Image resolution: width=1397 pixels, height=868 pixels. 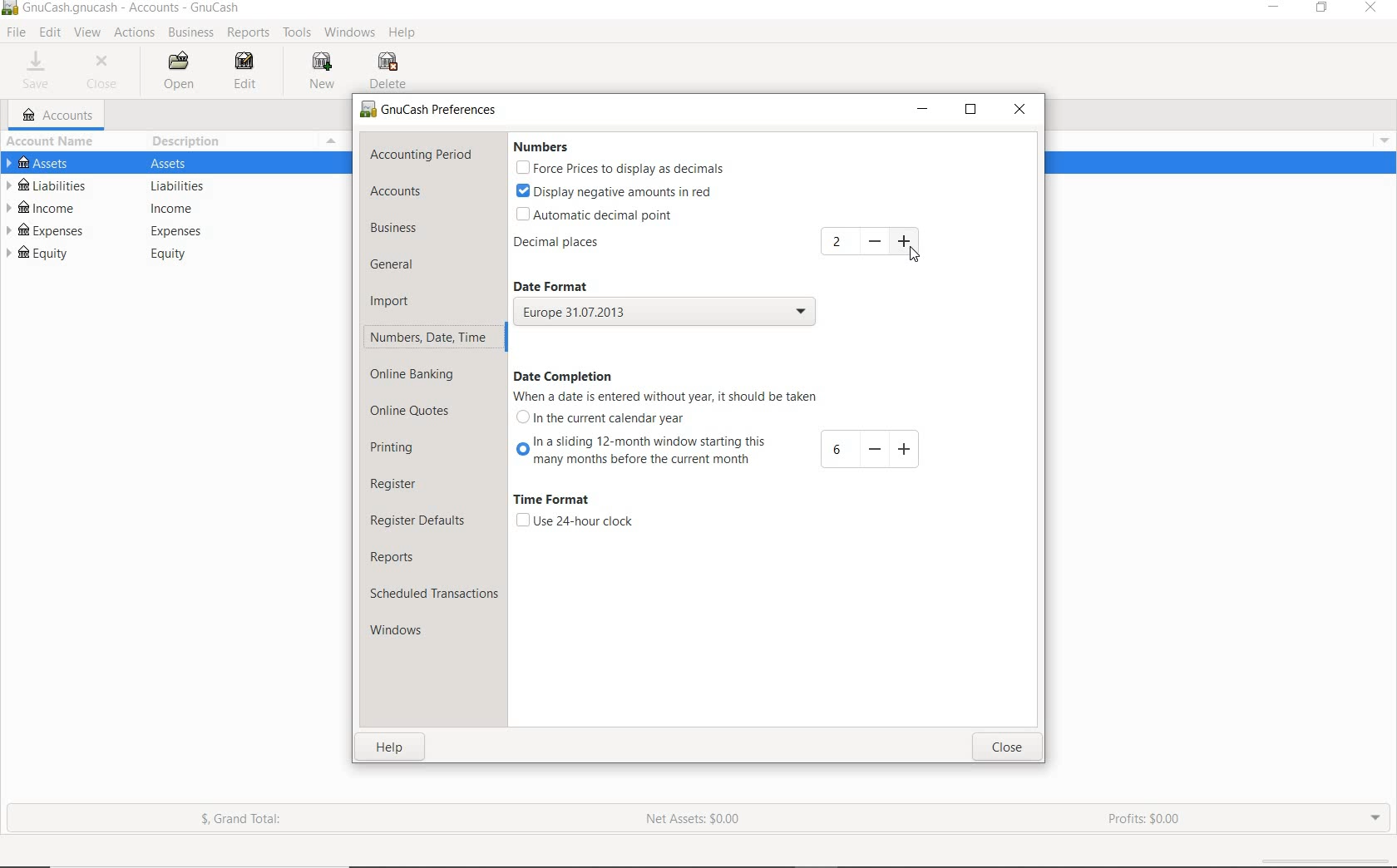 I want to click on ACCOUNTS, so click(x=58, y=115).